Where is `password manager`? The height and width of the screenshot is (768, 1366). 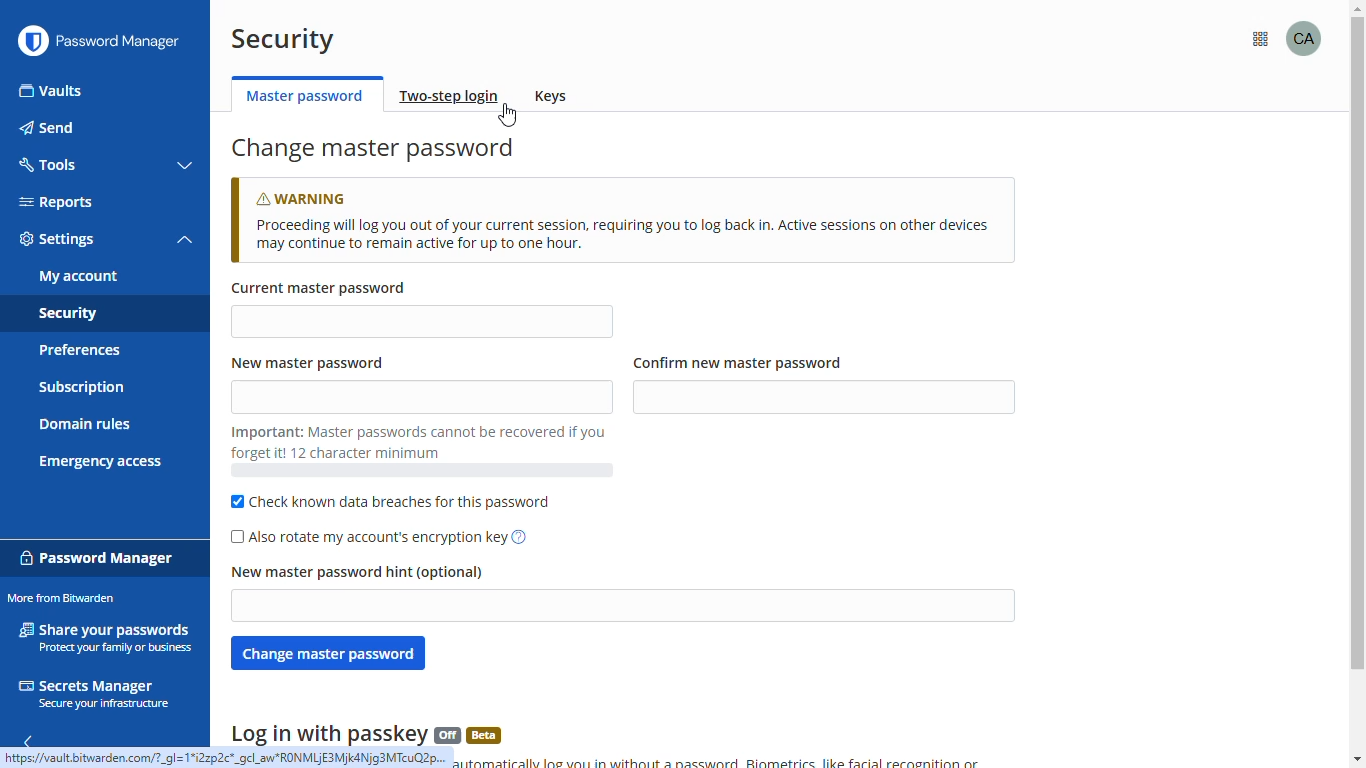
password manager is located at coordinates (97, 556).